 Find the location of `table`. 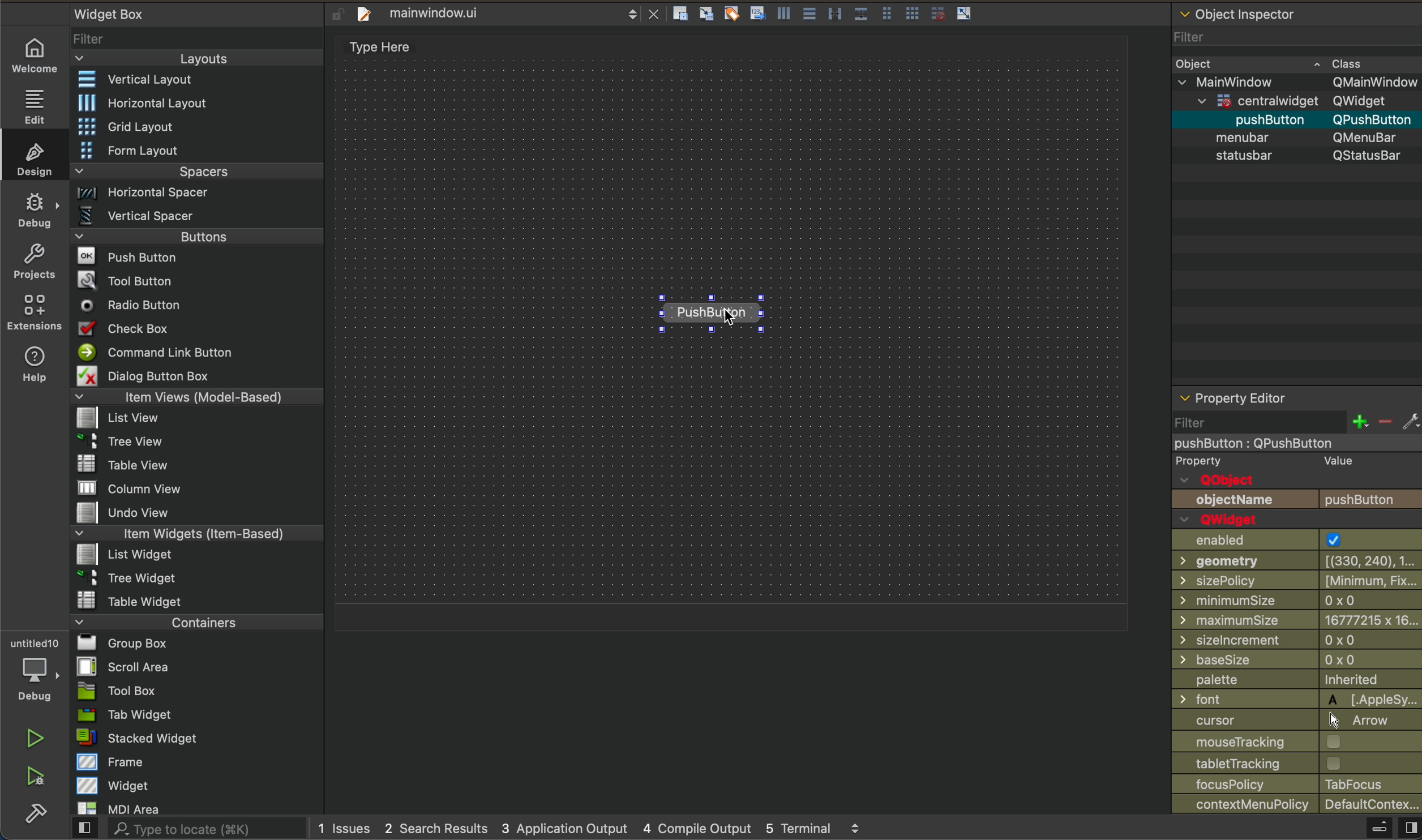

table is located at coordinates (194, 602).